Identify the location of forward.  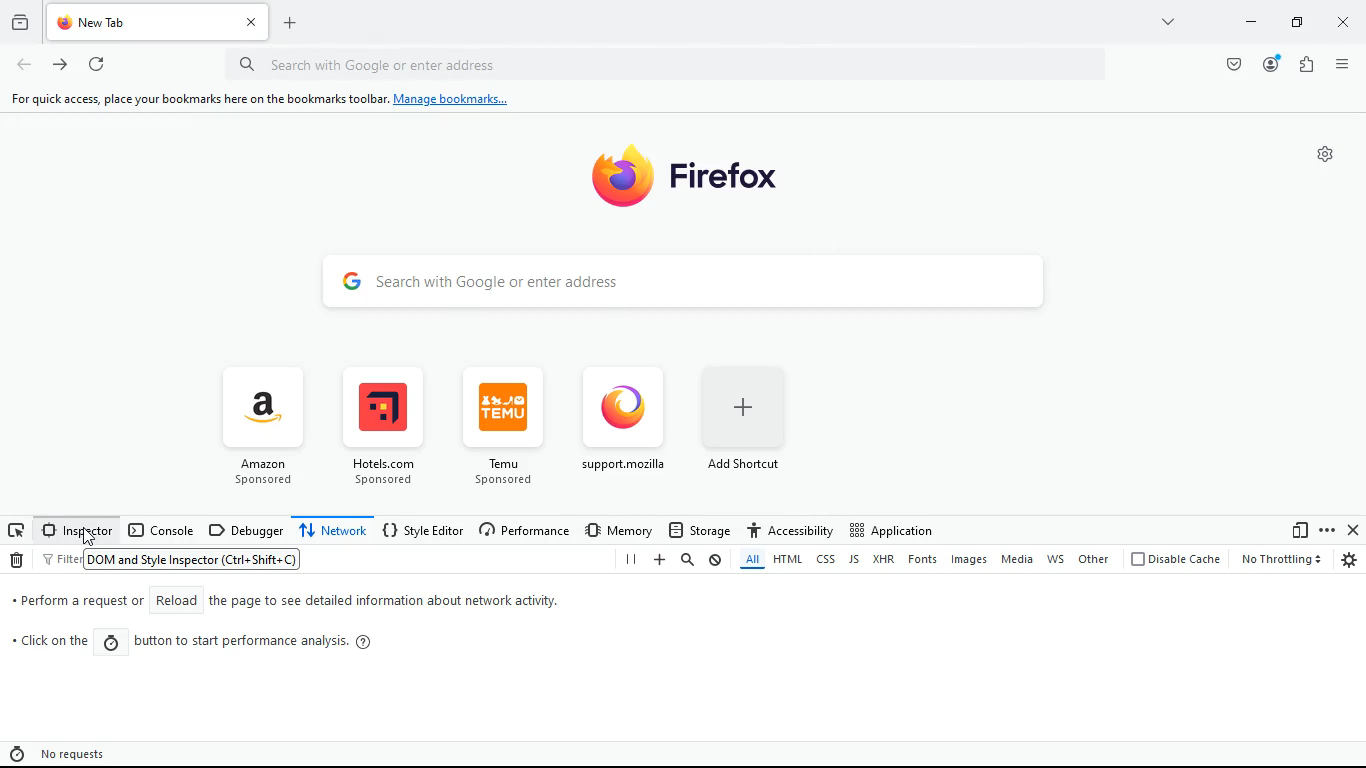
(60, 67).